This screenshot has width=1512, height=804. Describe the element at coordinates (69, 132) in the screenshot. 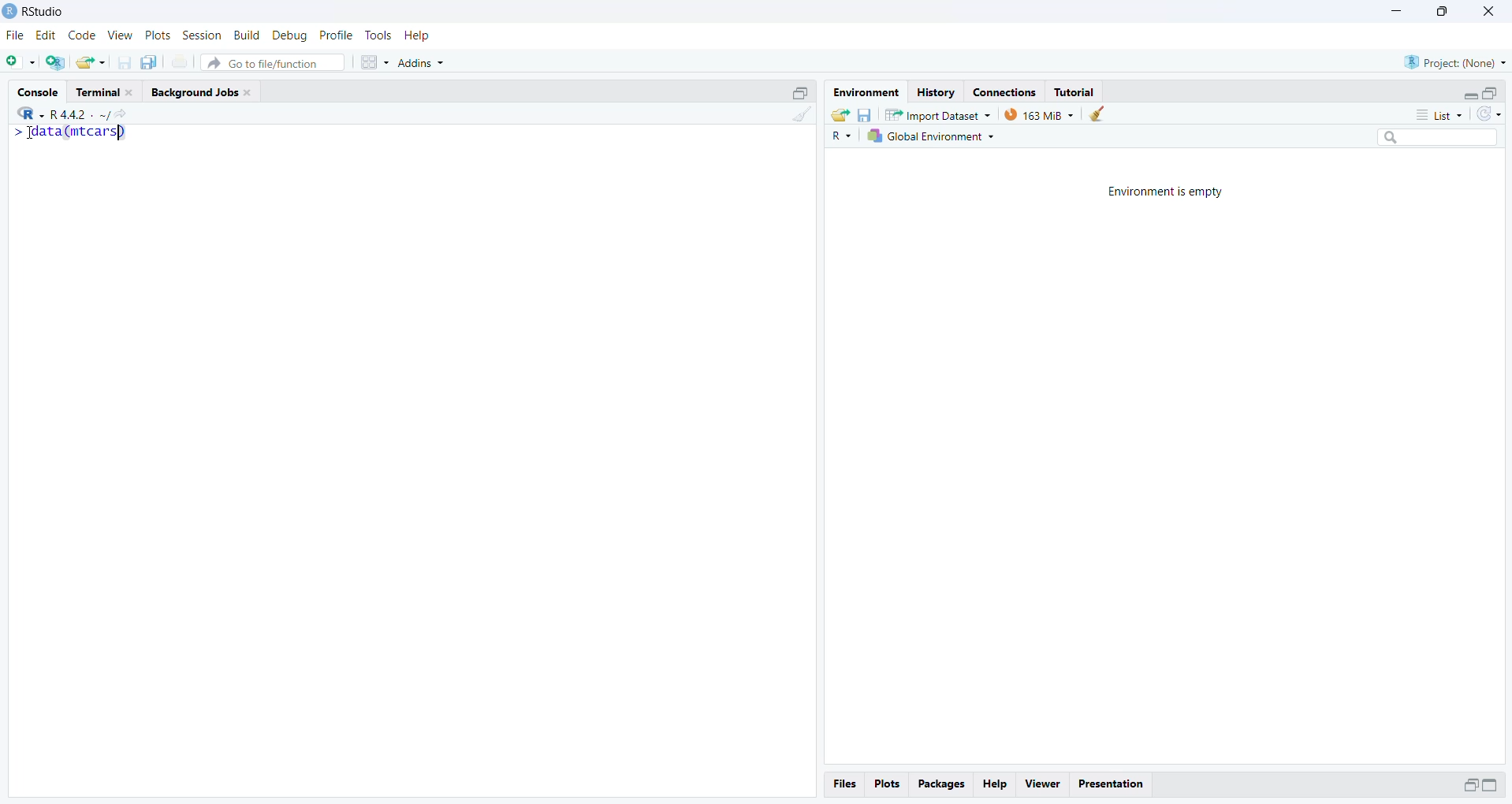

I see `> data(mtcars)` at that location.